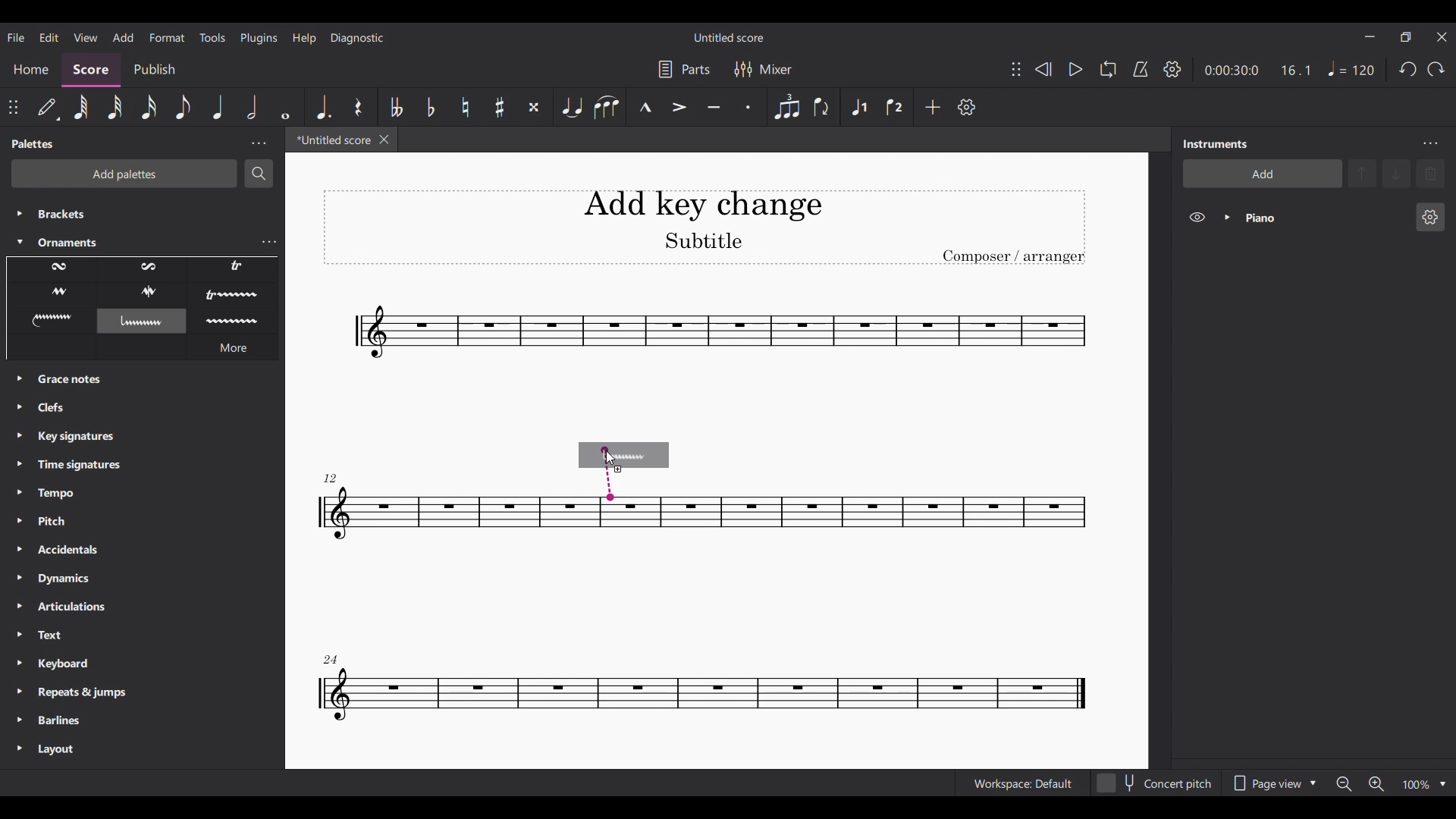  What do you see at coordinates (384, 140) in the screenshot?
I see `Close tab` at bounding box center [384, 140].